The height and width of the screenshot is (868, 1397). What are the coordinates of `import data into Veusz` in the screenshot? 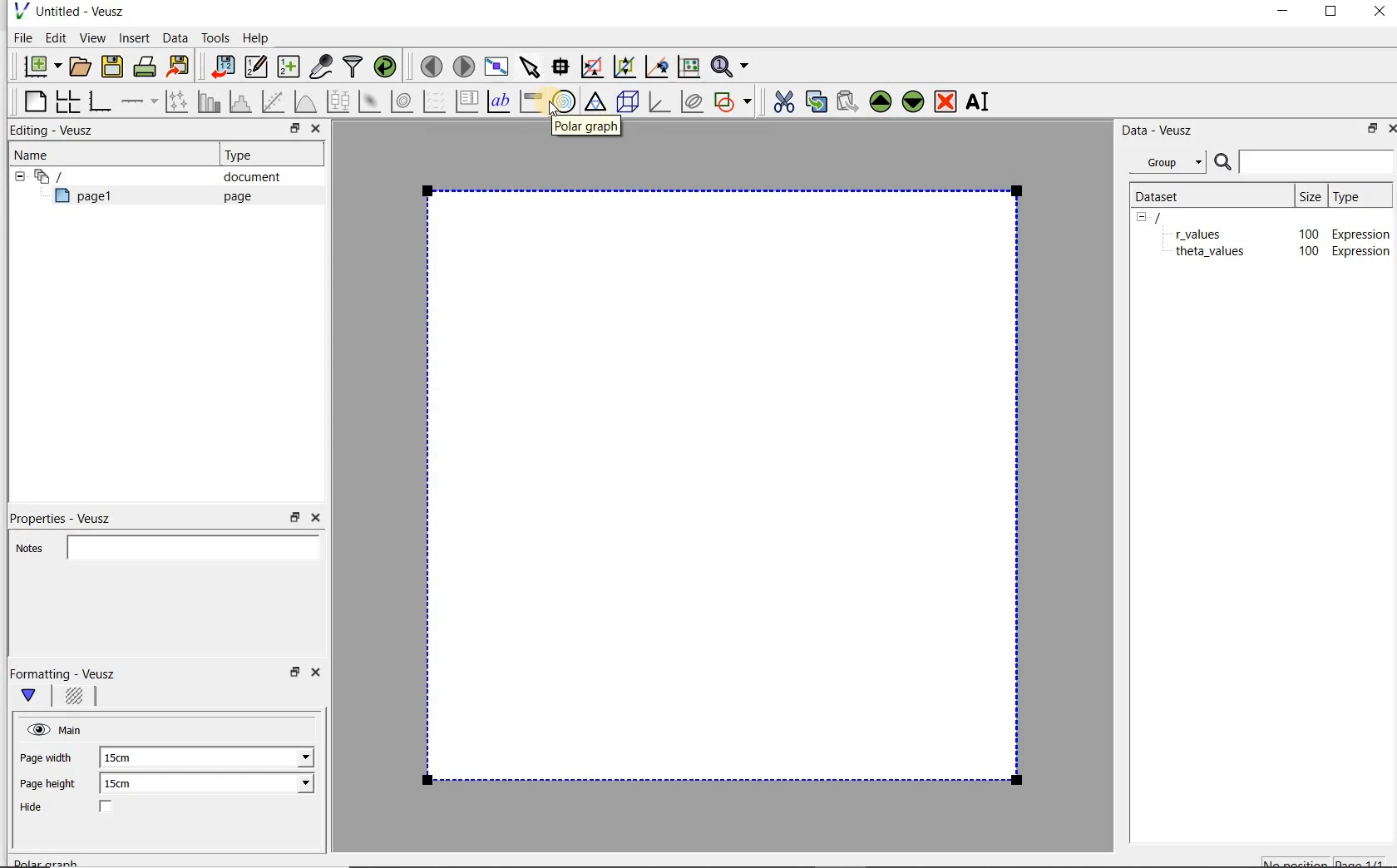 It's located at (221, 67).